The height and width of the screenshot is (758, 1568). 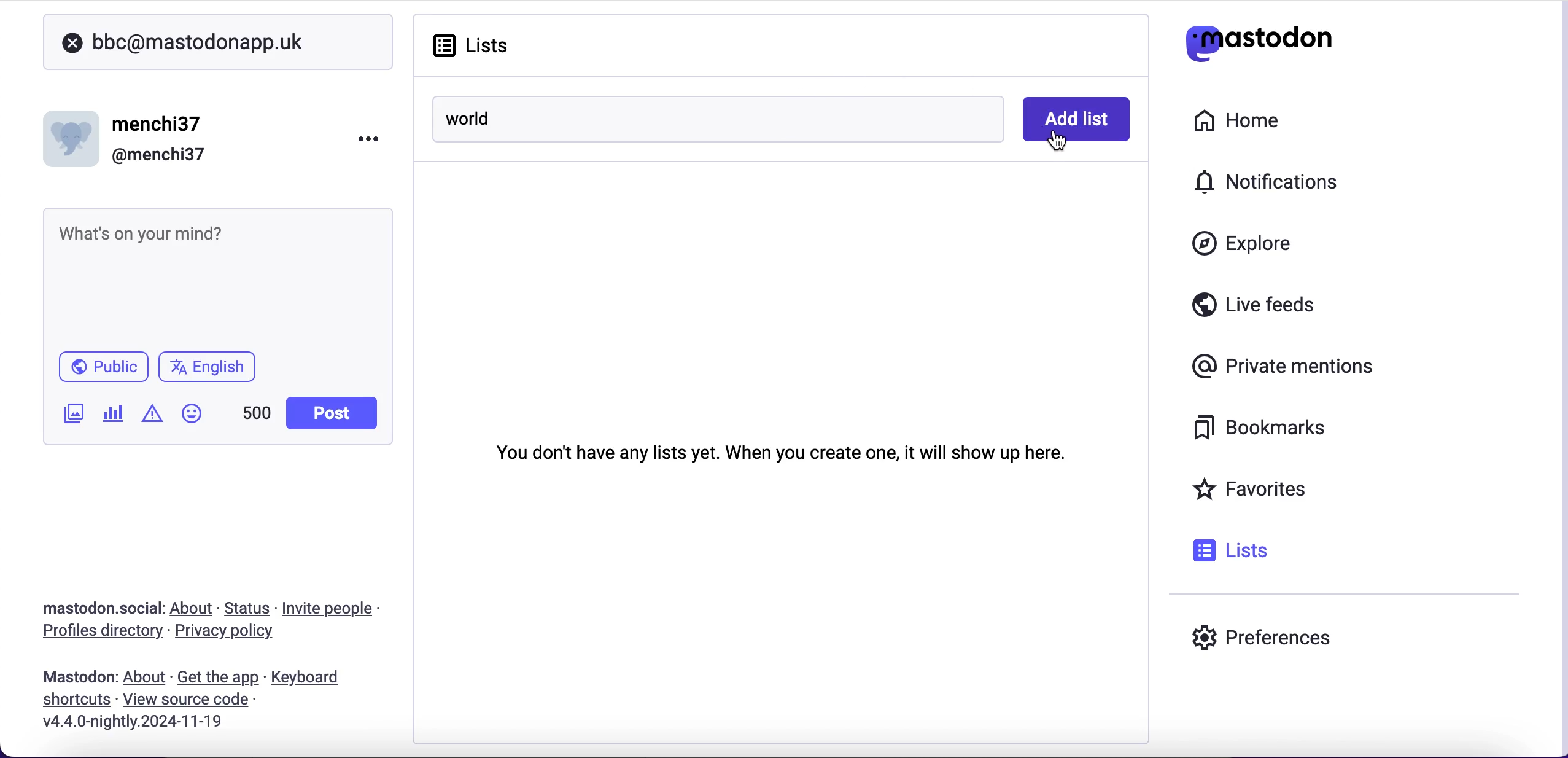 I want to click on lists, so click(x=1233, y=549).